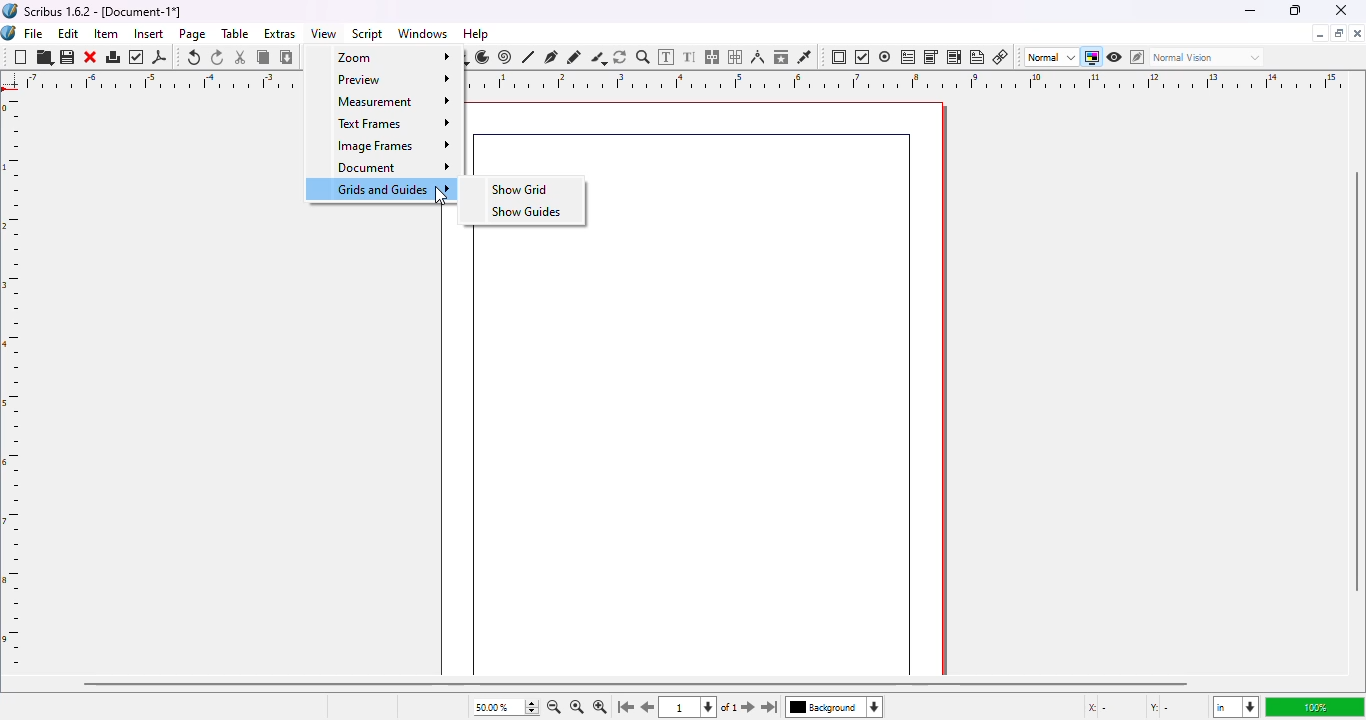 Image resolution: width=1366 pixels, height=720 pixels. Describe the element at coordinates (324, 33) in the screenshot. I see `view` at that location.